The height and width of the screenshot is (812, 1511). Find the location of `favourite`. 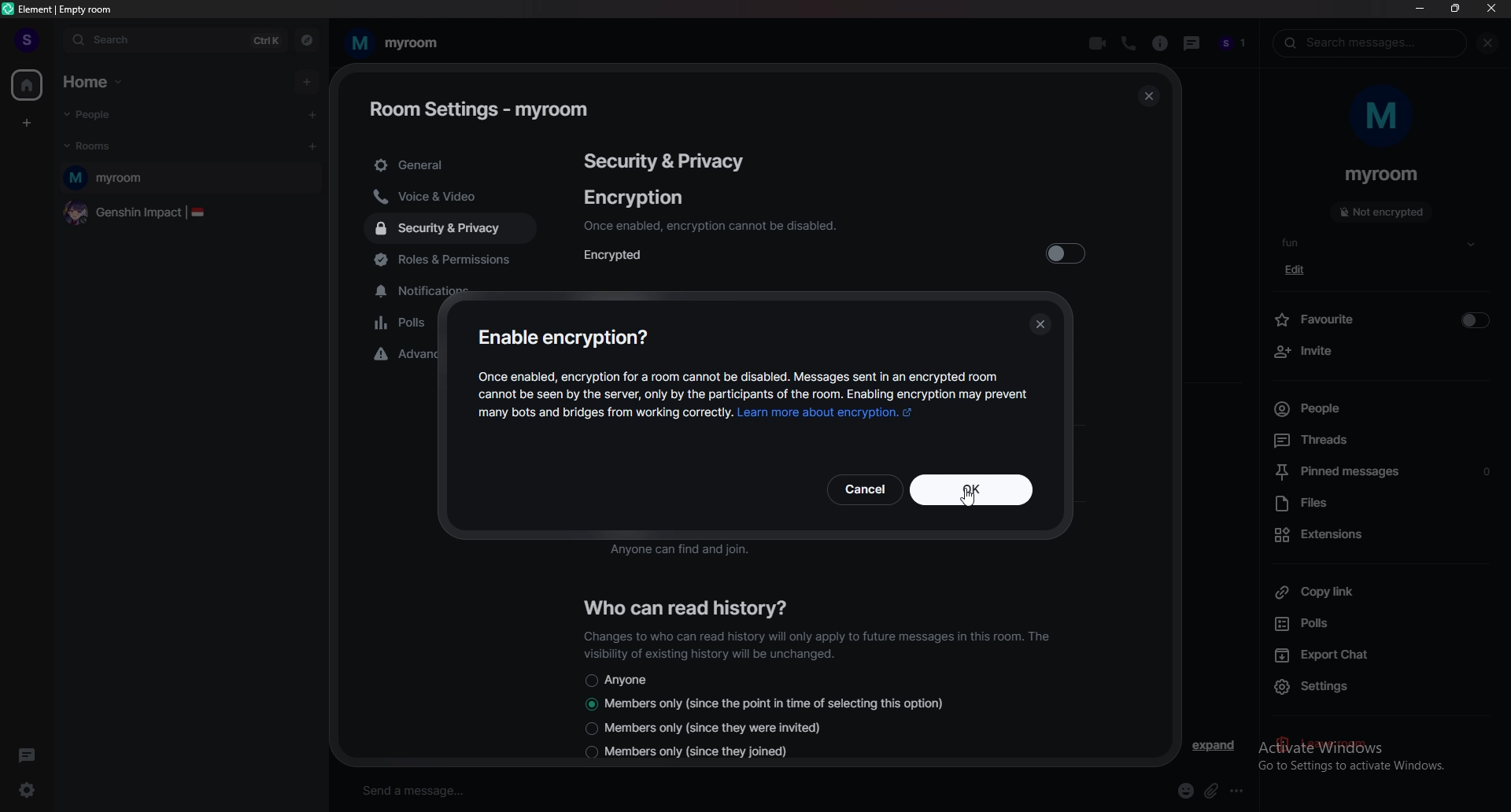

favourite is located at coordinates (1384, 319).